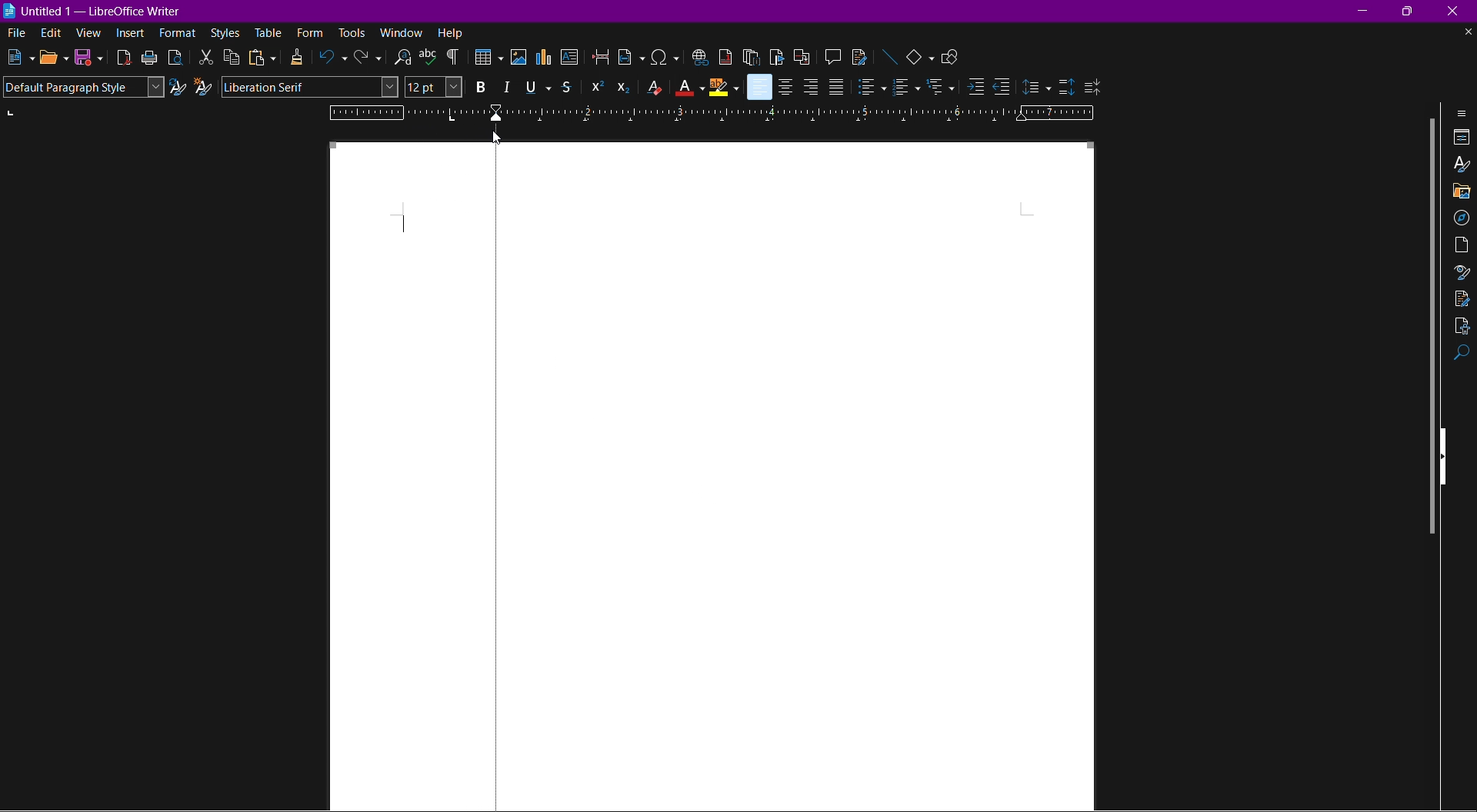 The width and height of the screenshot is (1477, 812). Describe the element at coordinates (1365, 10) in the screenshot. I see `Minimize` at that location.